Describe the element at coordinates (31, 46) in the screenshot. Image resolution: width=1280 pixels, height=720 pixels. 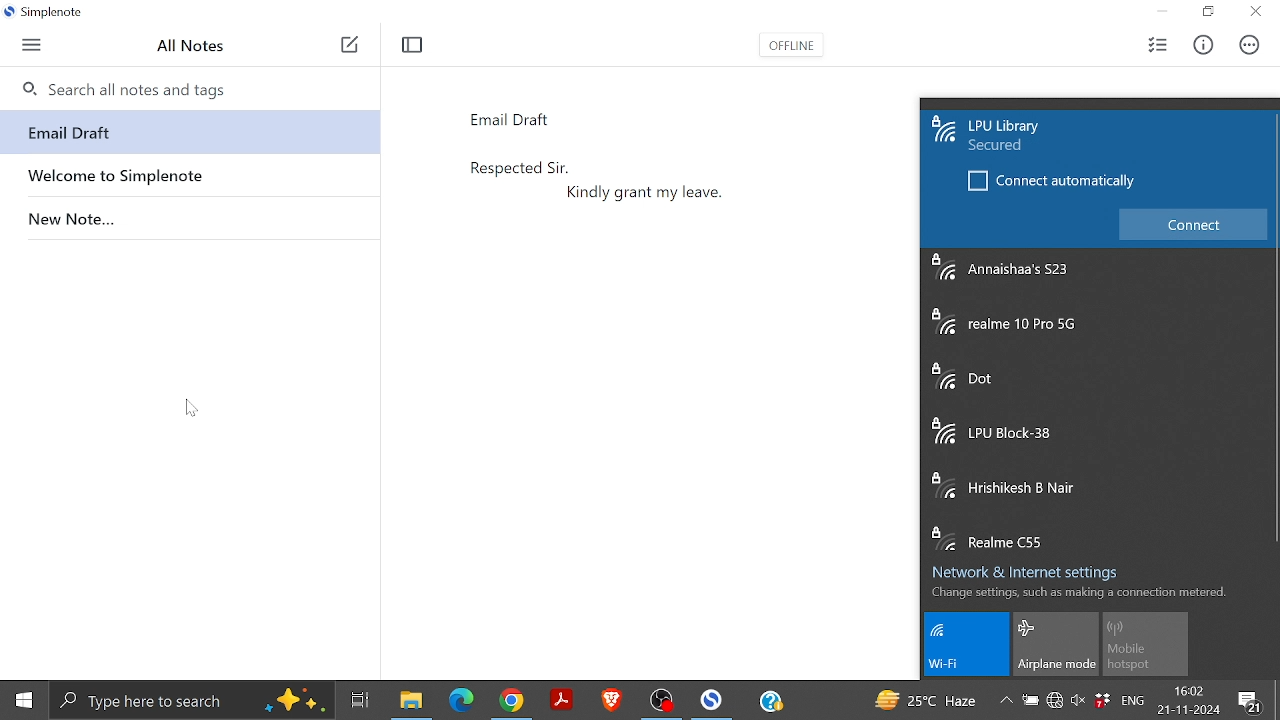
I see `Menu` at that location.